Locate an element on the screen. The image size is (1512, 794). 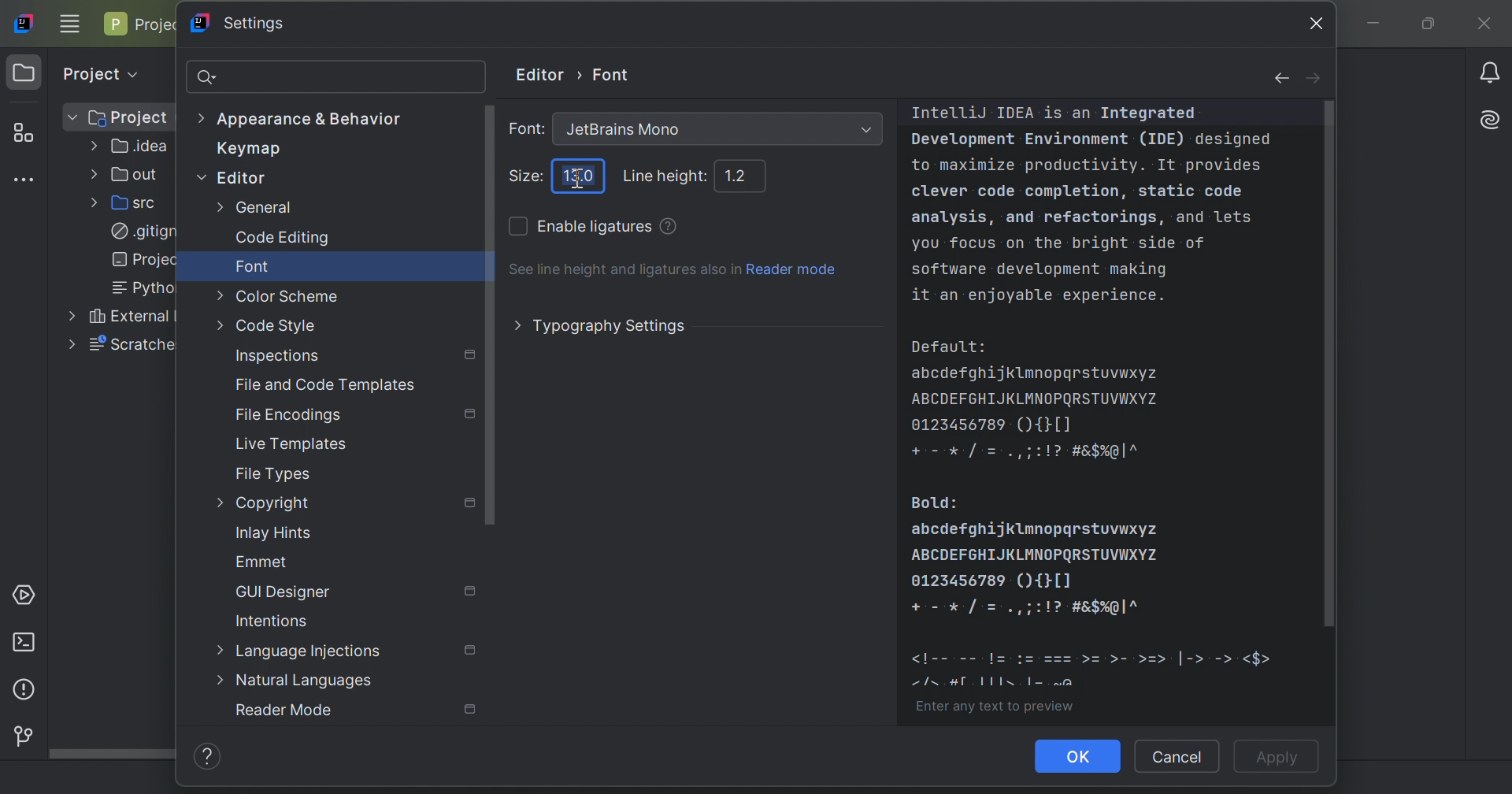
Live templates is located at coordinates (291, 445).